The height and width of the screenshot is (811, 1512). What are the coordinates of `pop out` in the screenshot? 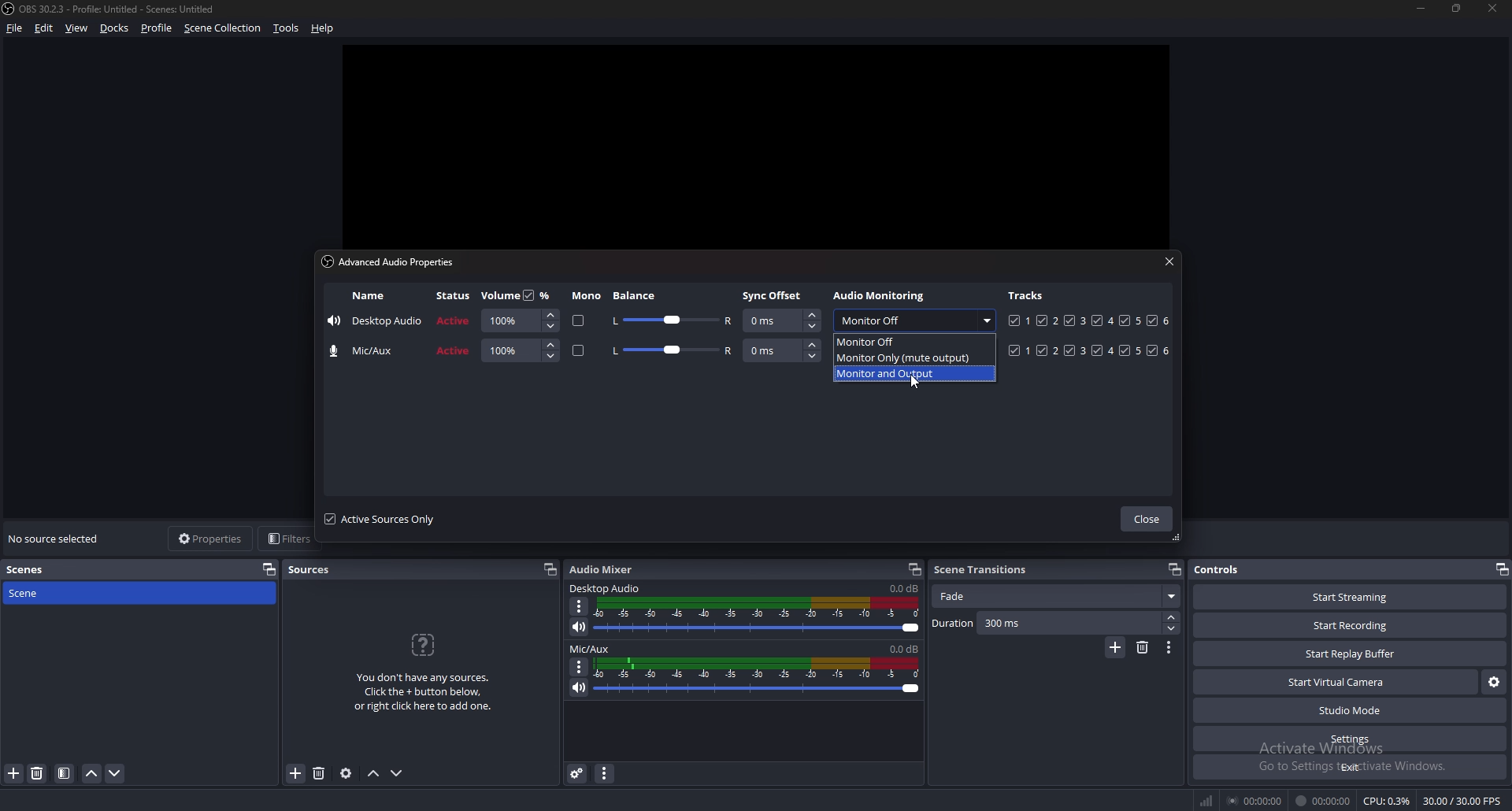 It's located at (269, 569).